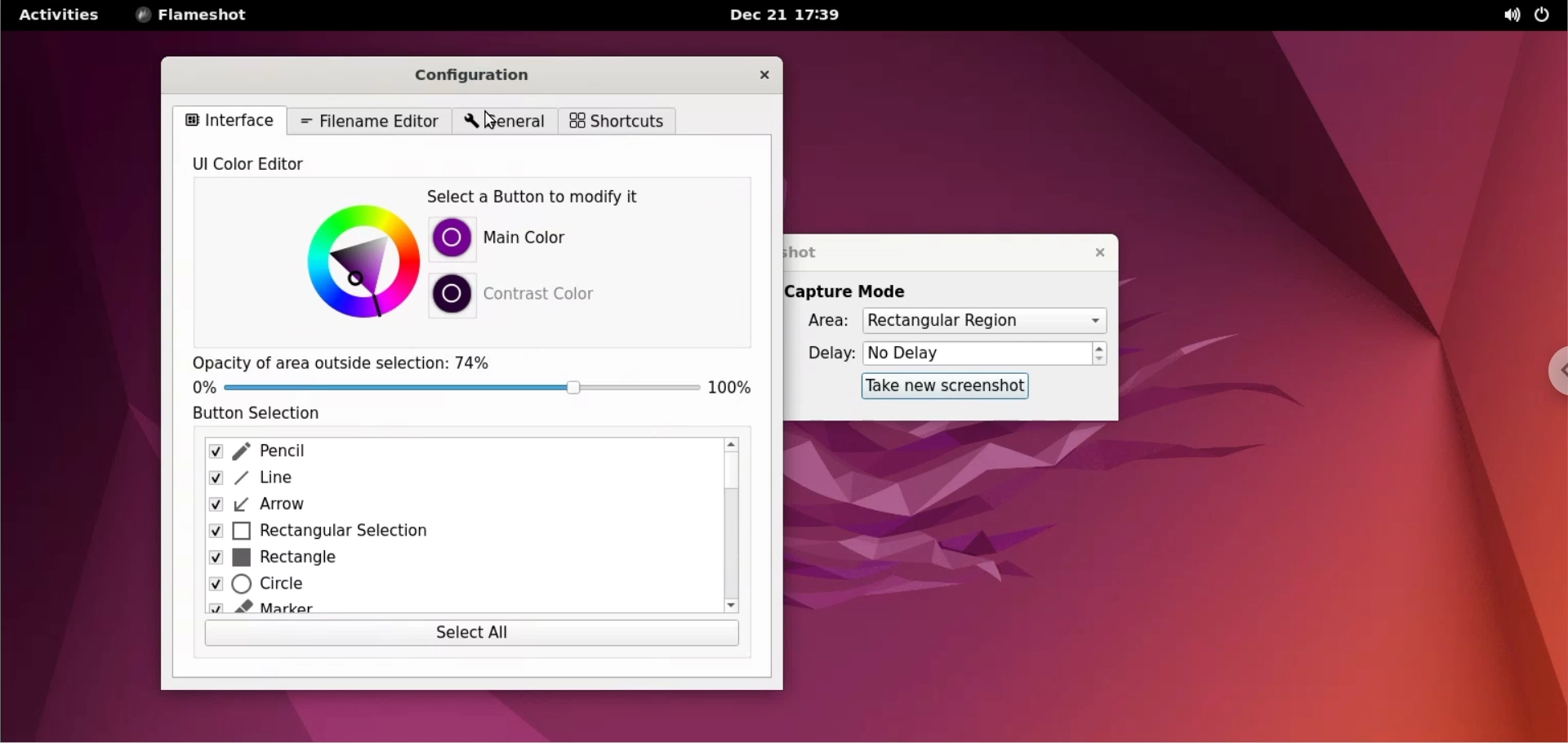 The width and height of the screenshot is (1568, 743). Describe the element at coordinates (370, 122) in the screenshot. I see `filename editor` at that location.